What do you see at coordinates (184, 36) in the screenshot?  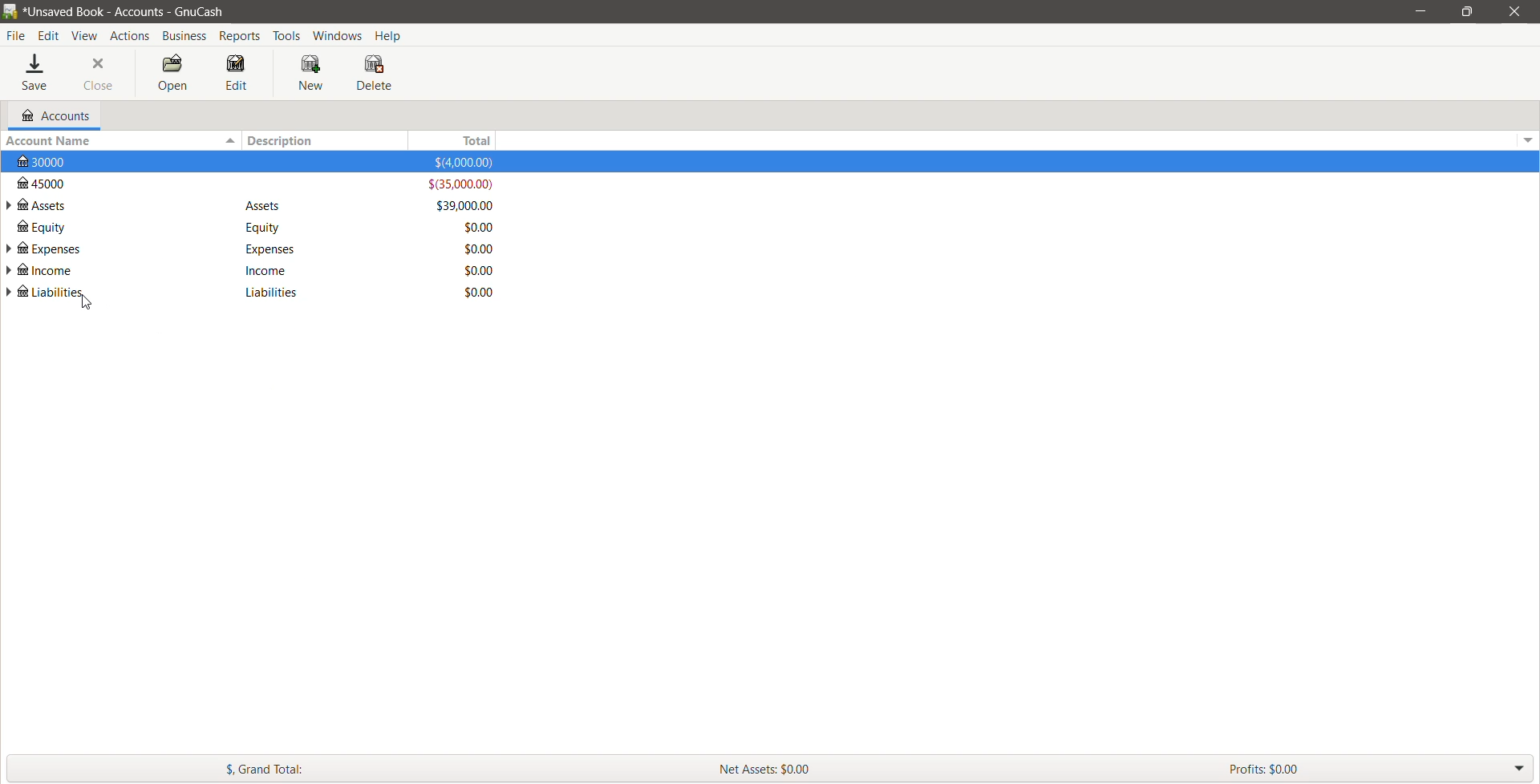 I see `Business` at bounding box center [184, 36].